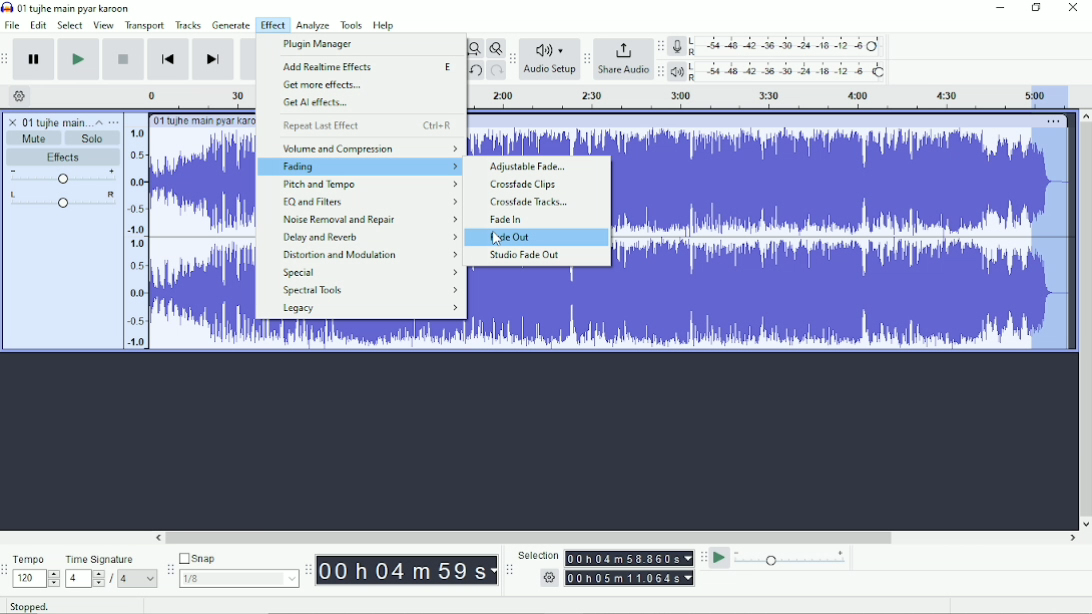 The height and width of the screenshot is (614, 1092). What do you see at coordinates (369, 66) in the screenshot?
I see `Add Realtime Effects` at bounding box center [369, 66].